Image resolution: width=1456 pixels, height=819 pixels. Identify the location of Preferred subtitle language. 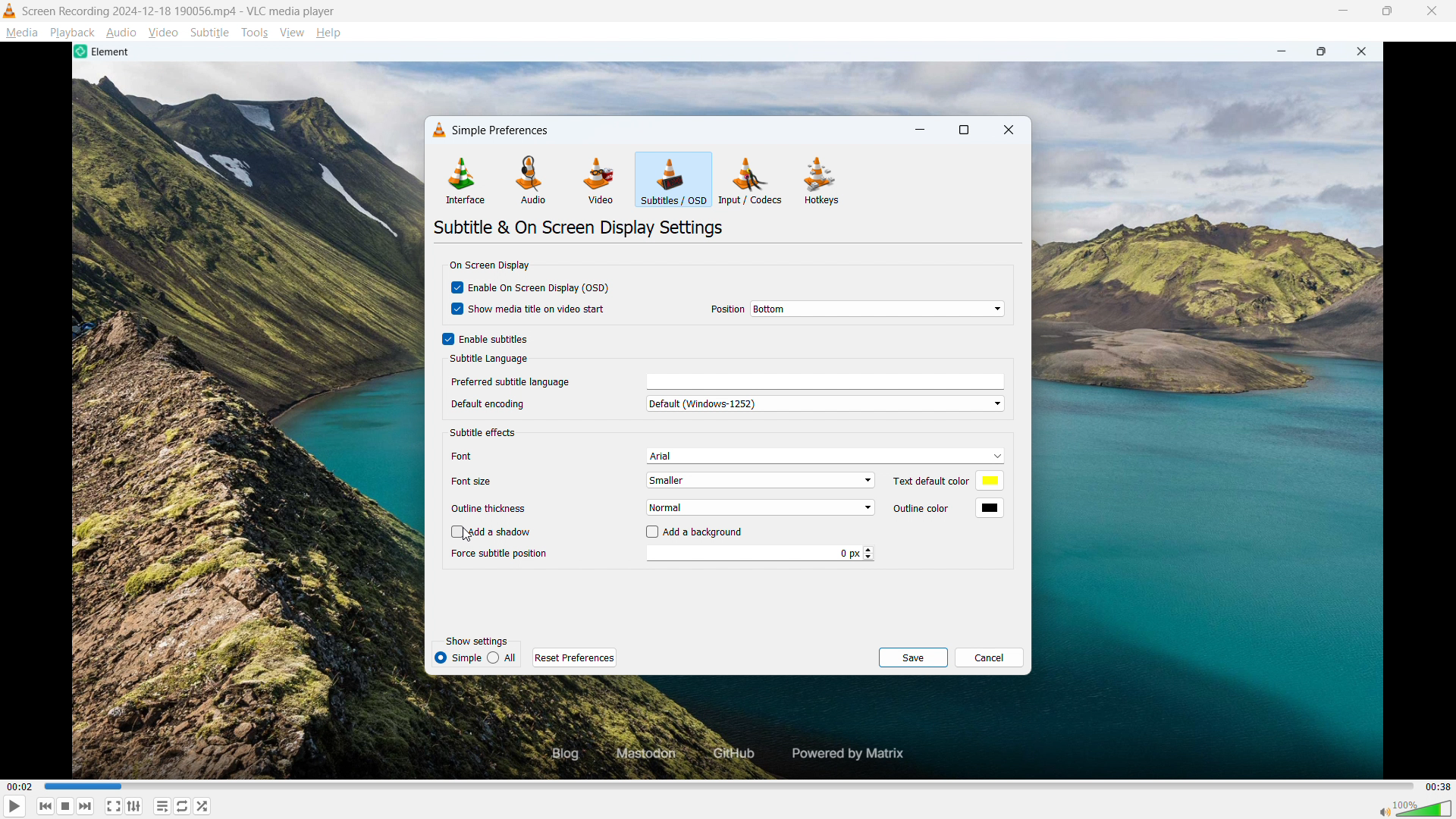
(523, 382).